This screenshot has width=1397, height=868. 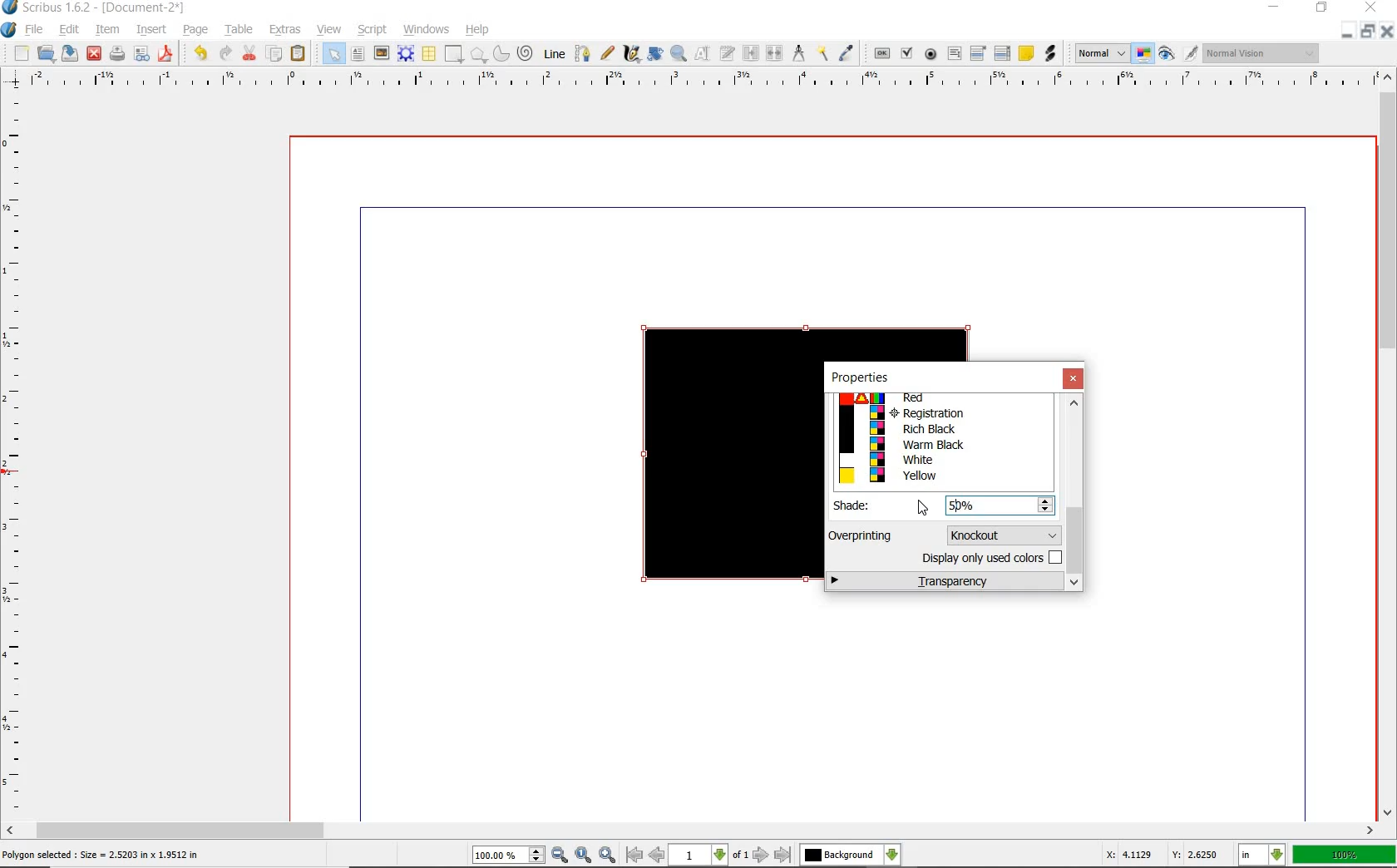 I want to click on measurement, so click(x=801, y=55).